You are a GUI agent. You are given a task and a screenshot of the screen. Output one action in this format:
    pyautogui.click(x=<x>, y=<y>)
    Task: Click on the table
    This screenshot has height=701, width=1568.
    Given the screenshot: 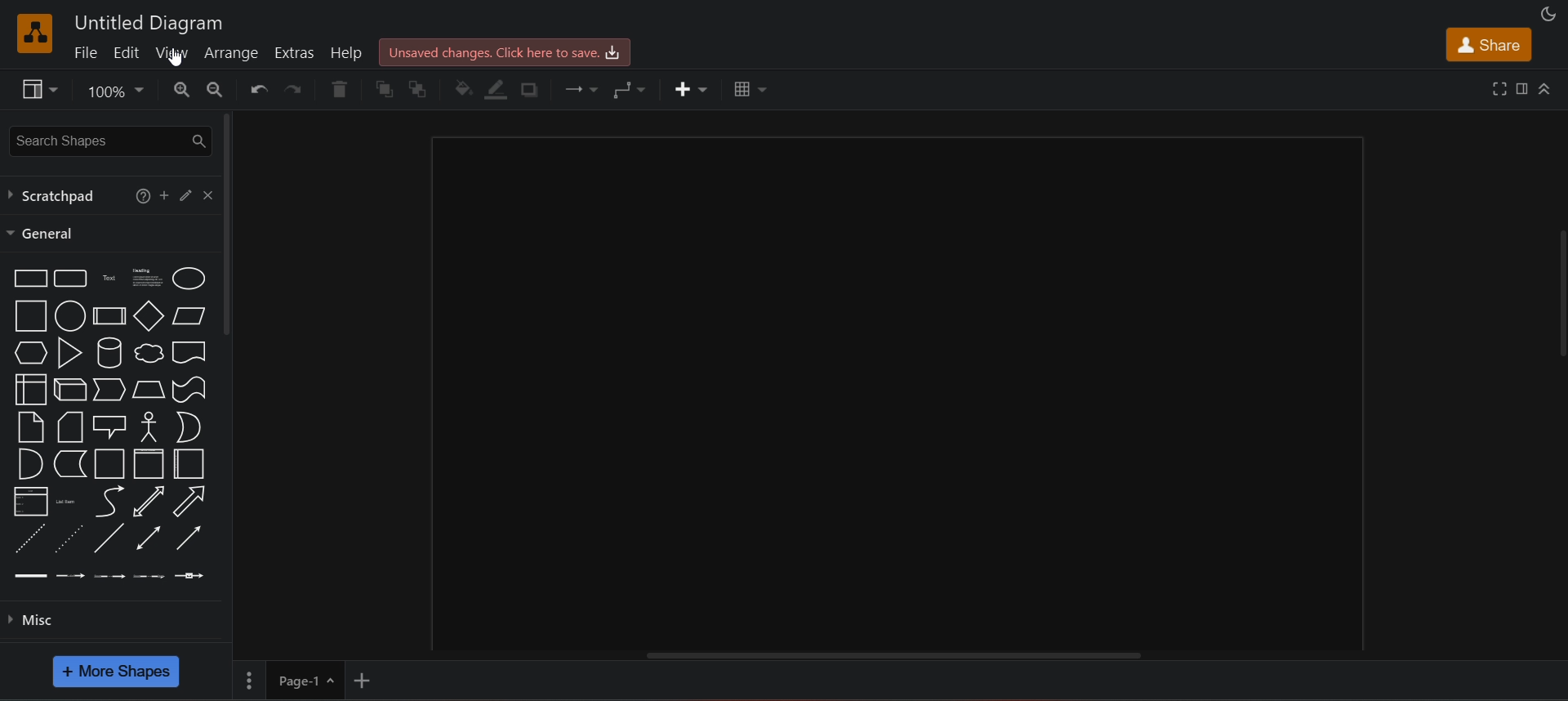 What is the action you would take?
    pyautogui.click(x=747, y=90)
    